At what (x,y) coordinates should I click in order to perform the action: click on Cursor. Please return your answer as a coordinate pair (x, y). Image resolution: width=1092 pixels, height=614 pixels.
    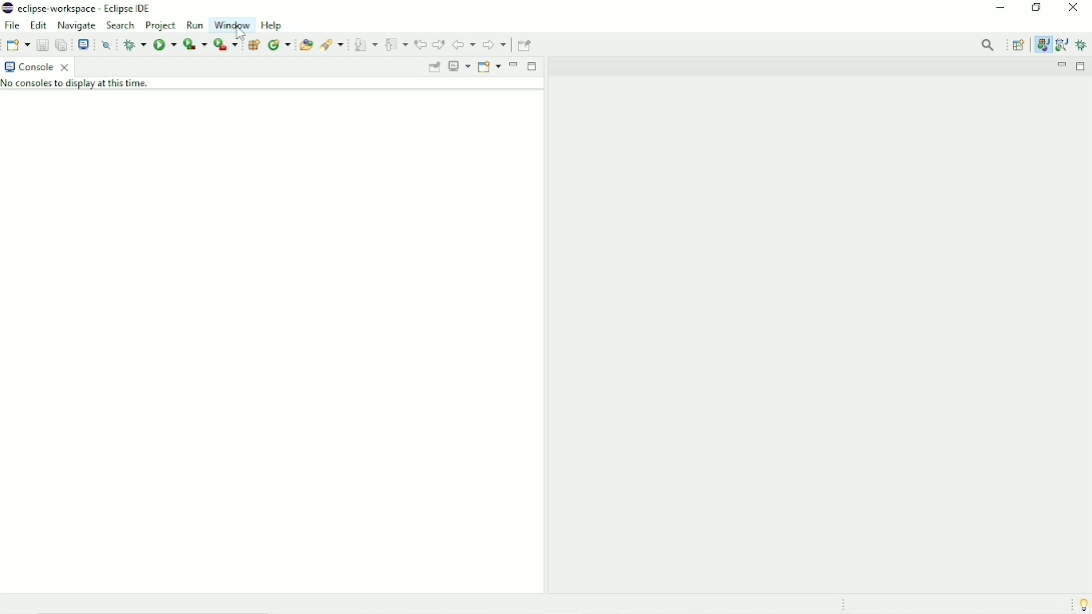
    Looking at the image, I should click on (238, 31).